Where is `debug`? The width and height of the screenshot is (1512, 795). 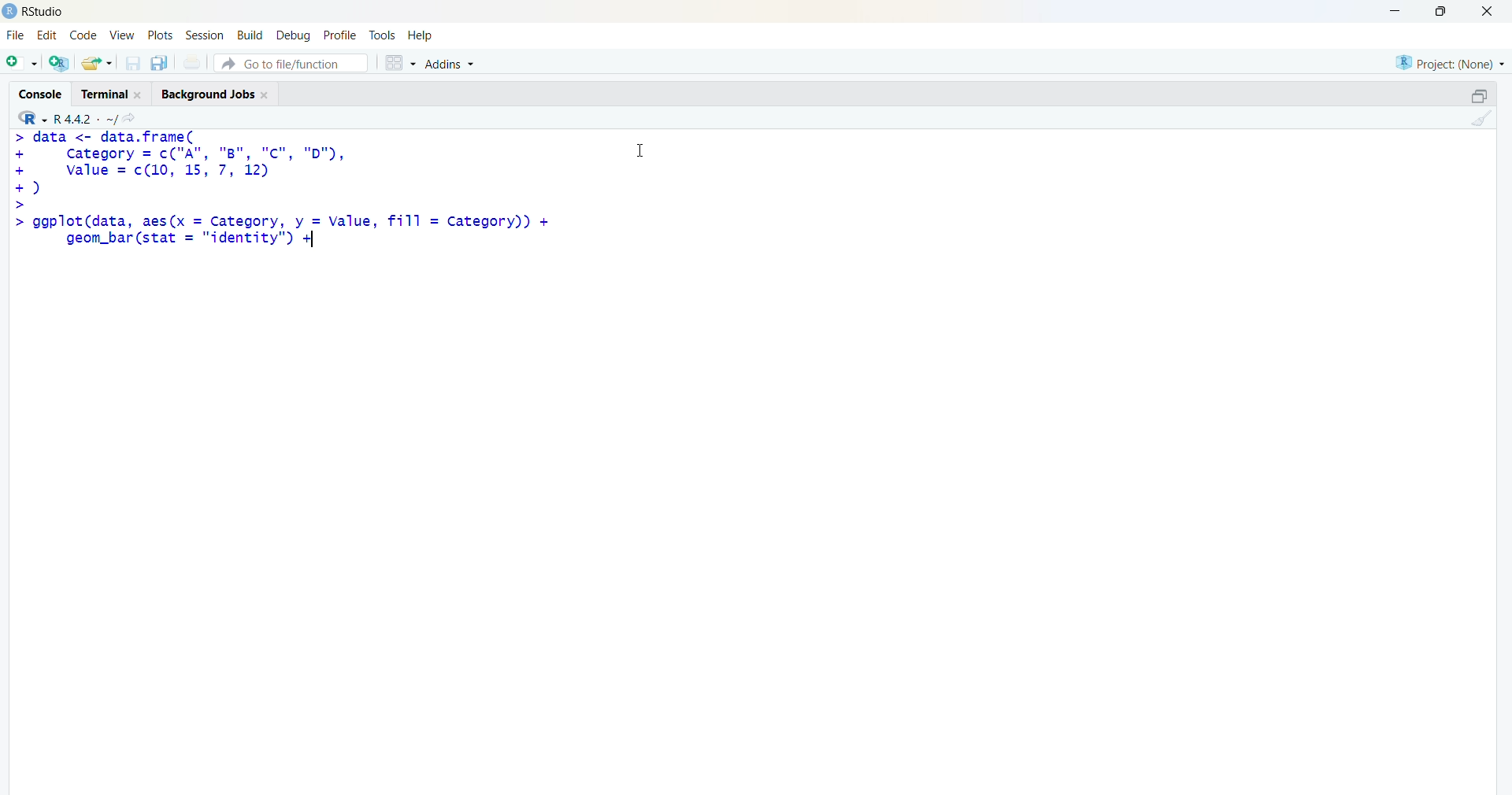
debug is located at coordinates (294, 35).